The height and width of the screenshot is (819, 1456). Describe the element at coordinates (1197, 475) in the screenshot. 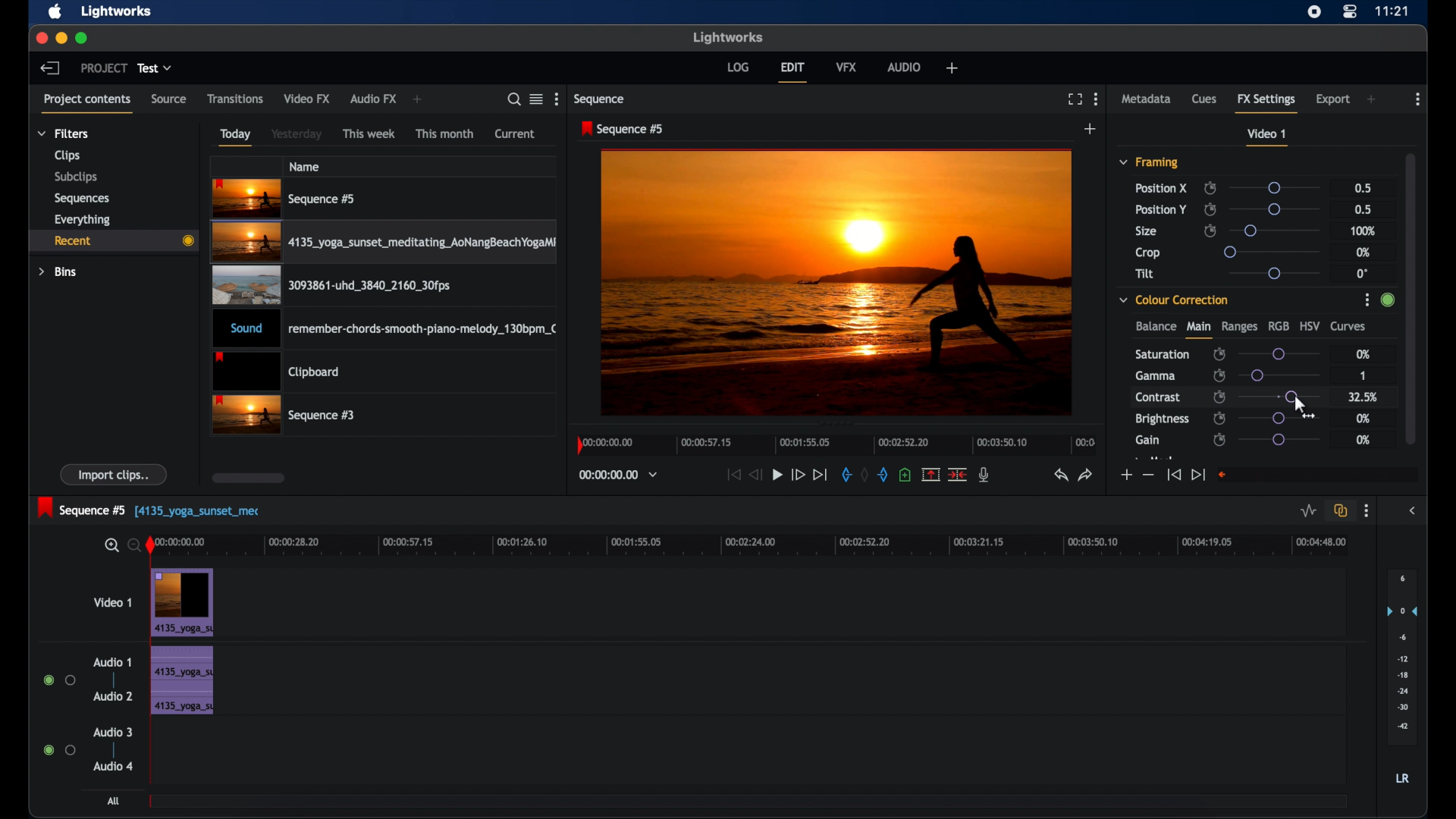

I see `jump to end` at that location.